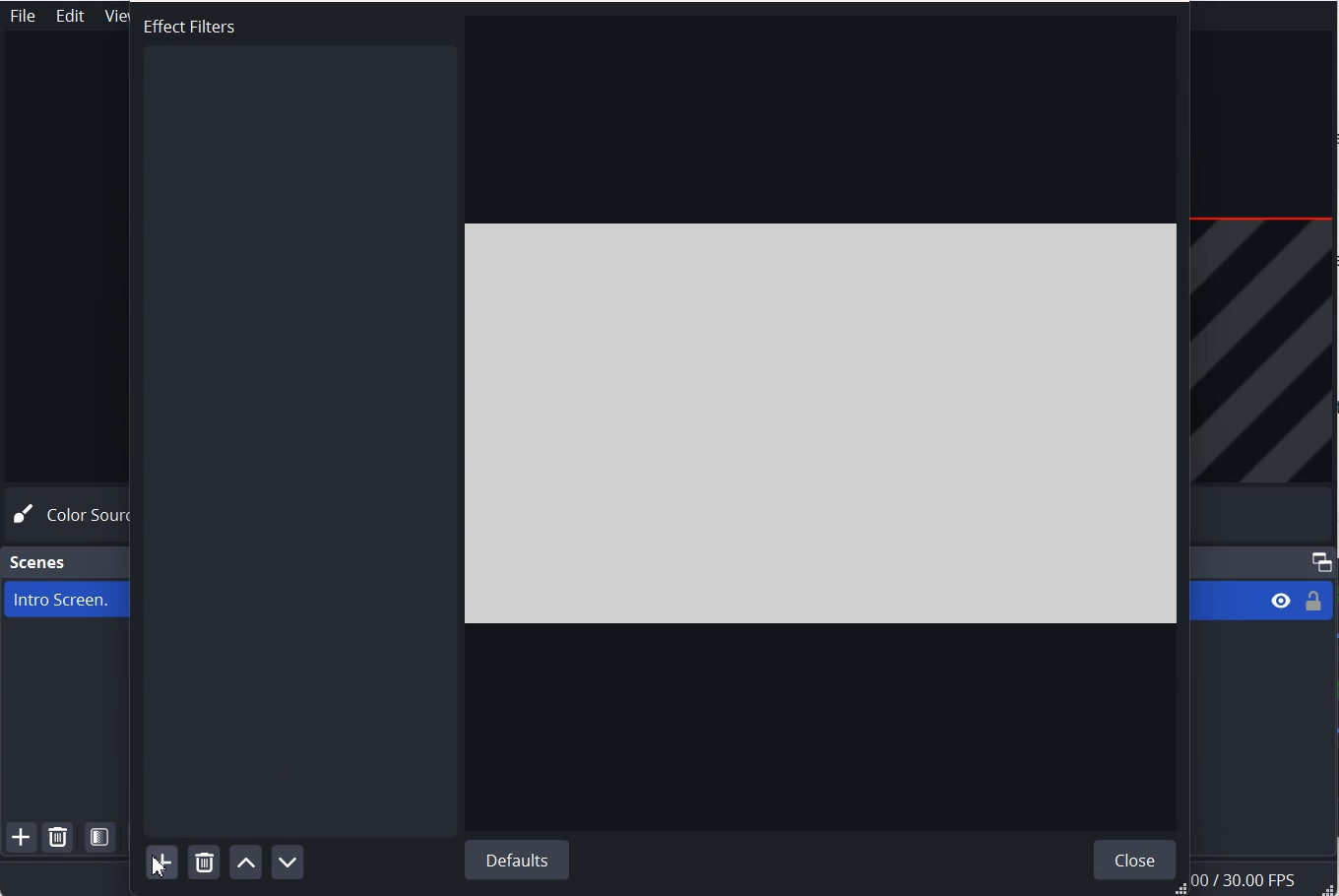 This screenshot has height=896, width=1339. What do you see at coordinates (1321, 561) in the screenshot?
I see `Maximize` at bounding box center [1321, 561].